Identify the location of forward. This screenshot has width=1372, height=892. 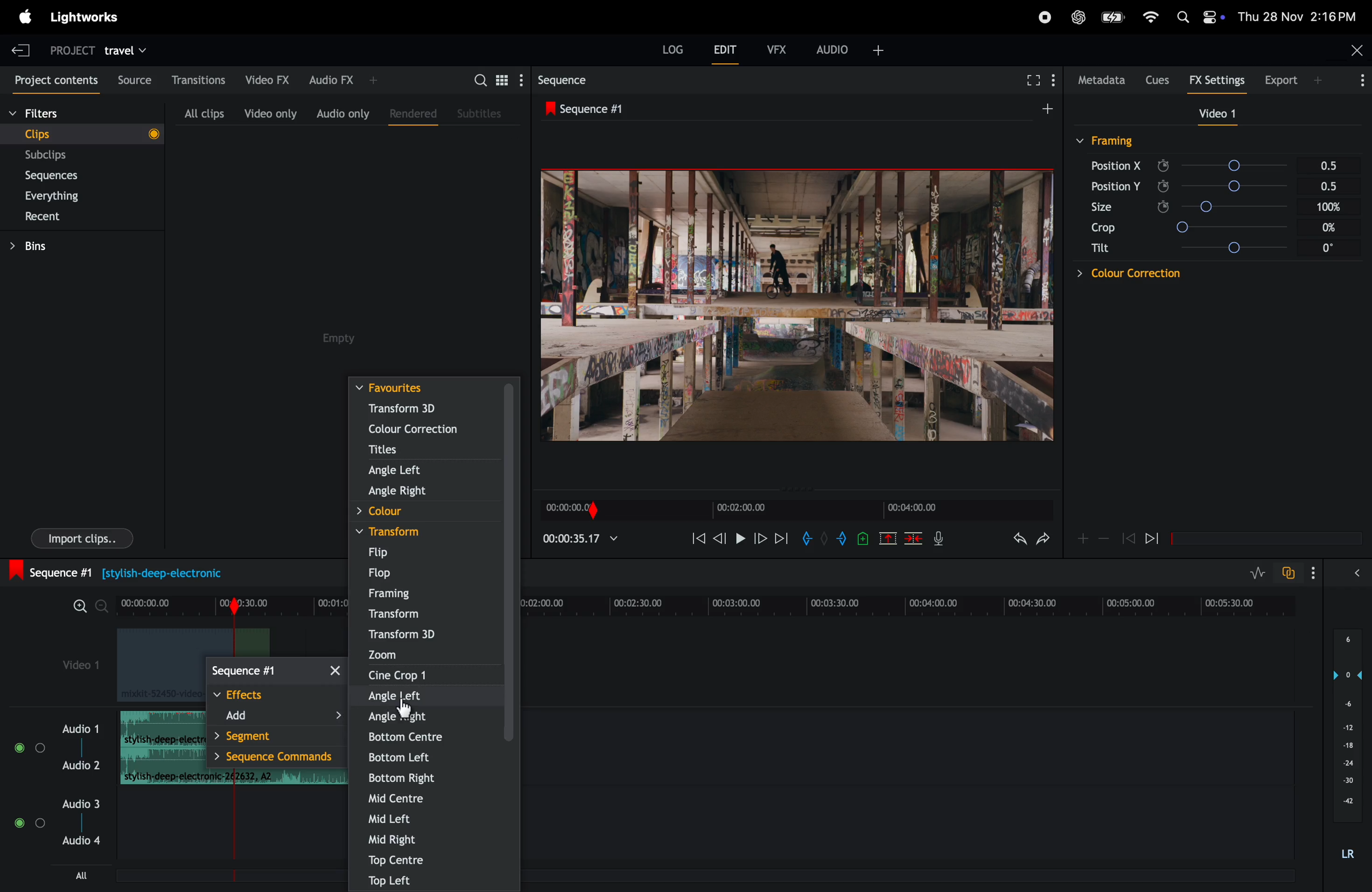
(781, 538).